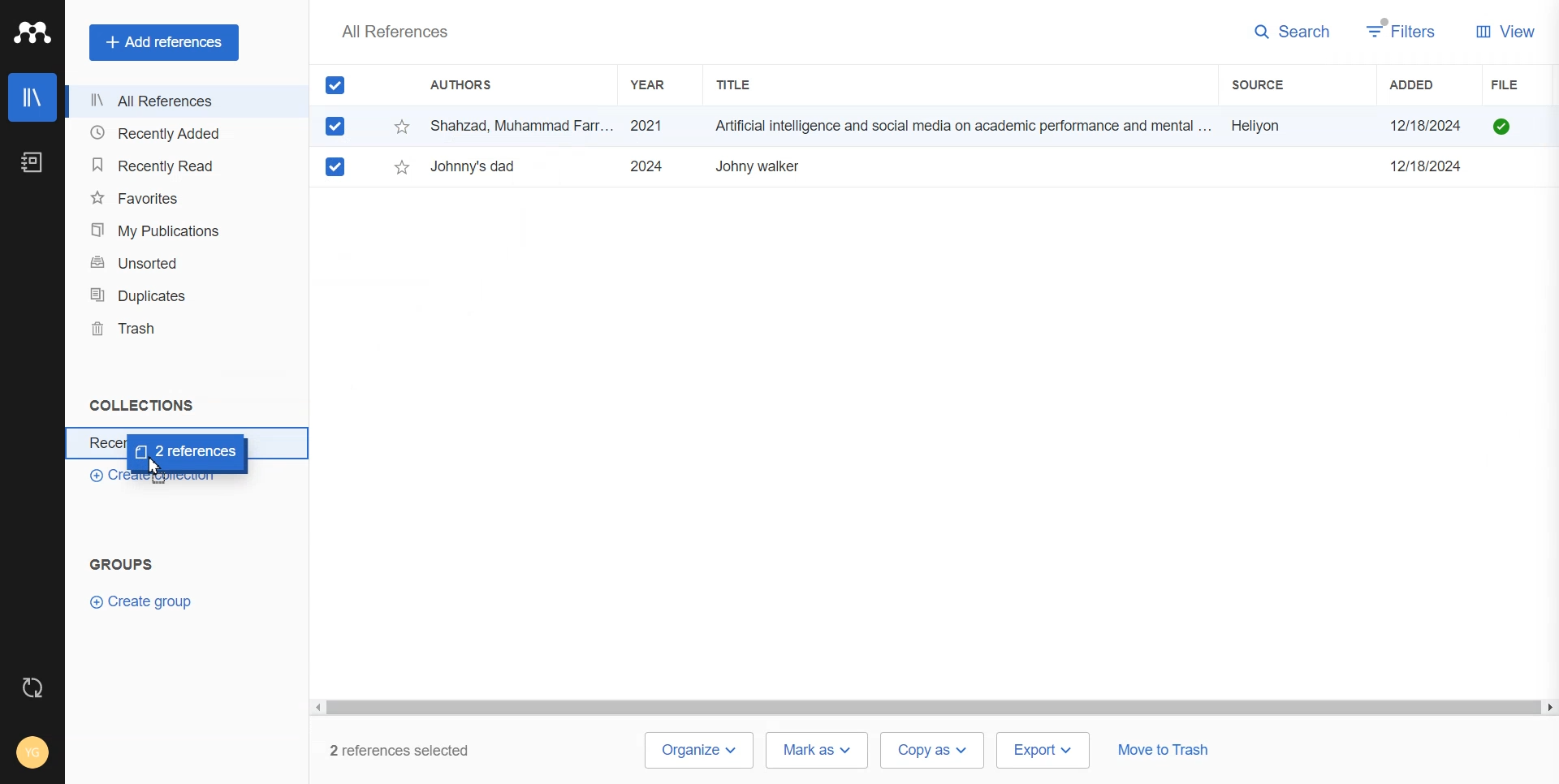  I want to click on Title, so click(748, 84).